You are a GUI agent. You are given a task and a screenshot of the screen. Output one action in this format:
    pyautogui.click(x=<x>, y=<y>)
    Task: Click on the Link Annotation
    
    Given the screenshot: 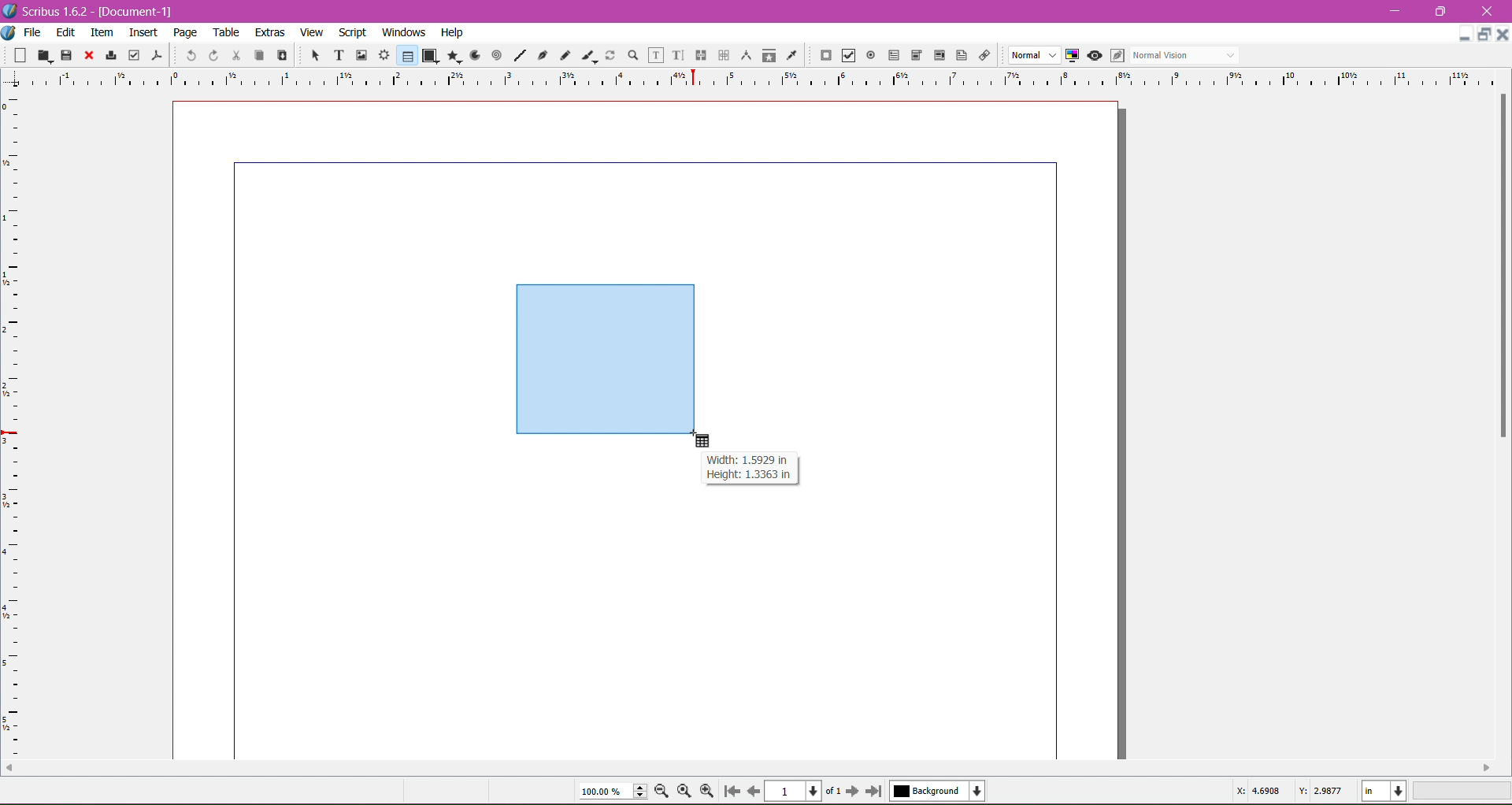 What is the action you would take?
    pyautogui.click(x=982, y=54)
    